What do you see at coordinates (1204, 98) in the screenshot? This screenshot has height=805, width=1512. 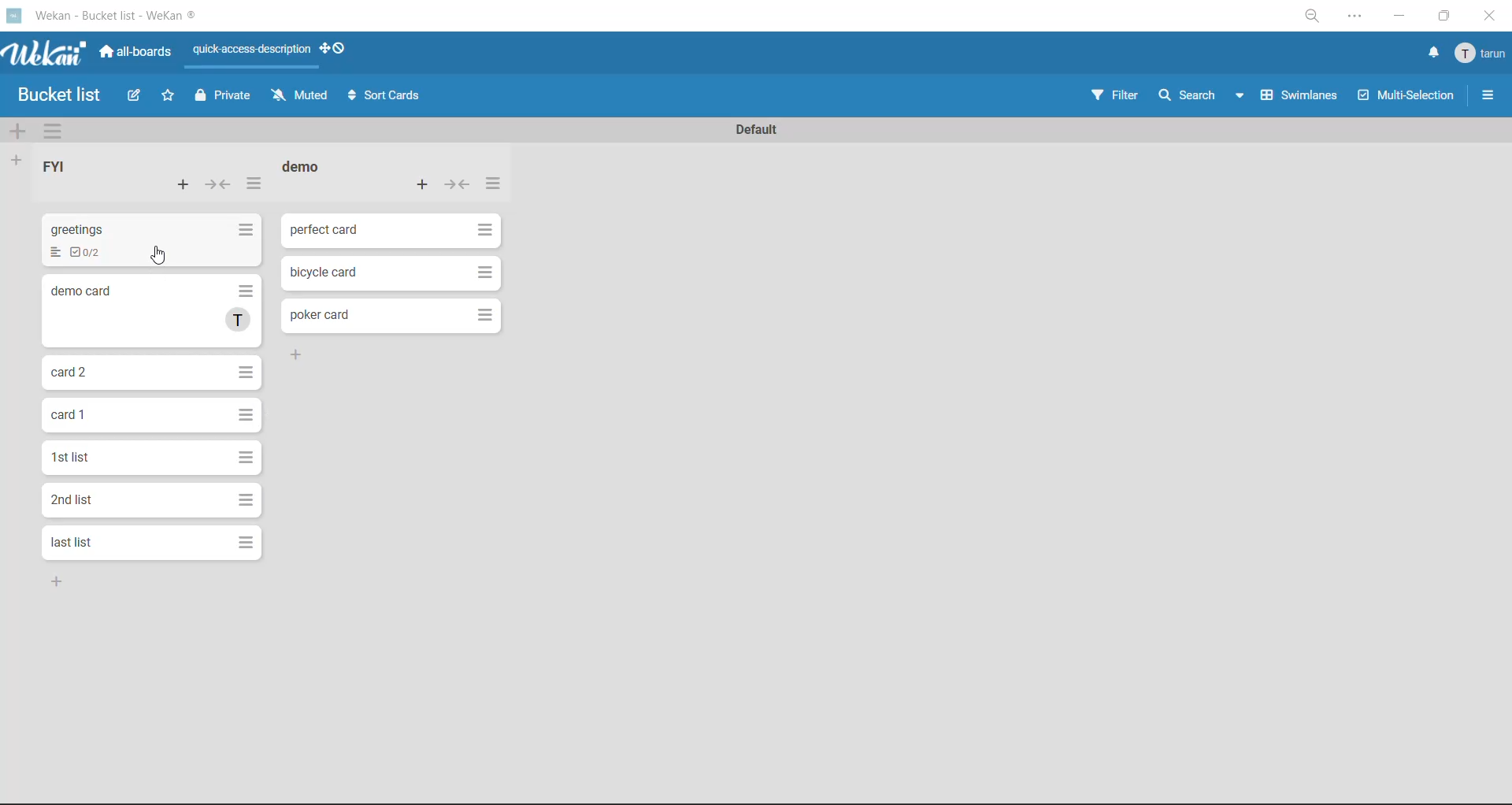 I see `search` at bounding box center [1204, 98].